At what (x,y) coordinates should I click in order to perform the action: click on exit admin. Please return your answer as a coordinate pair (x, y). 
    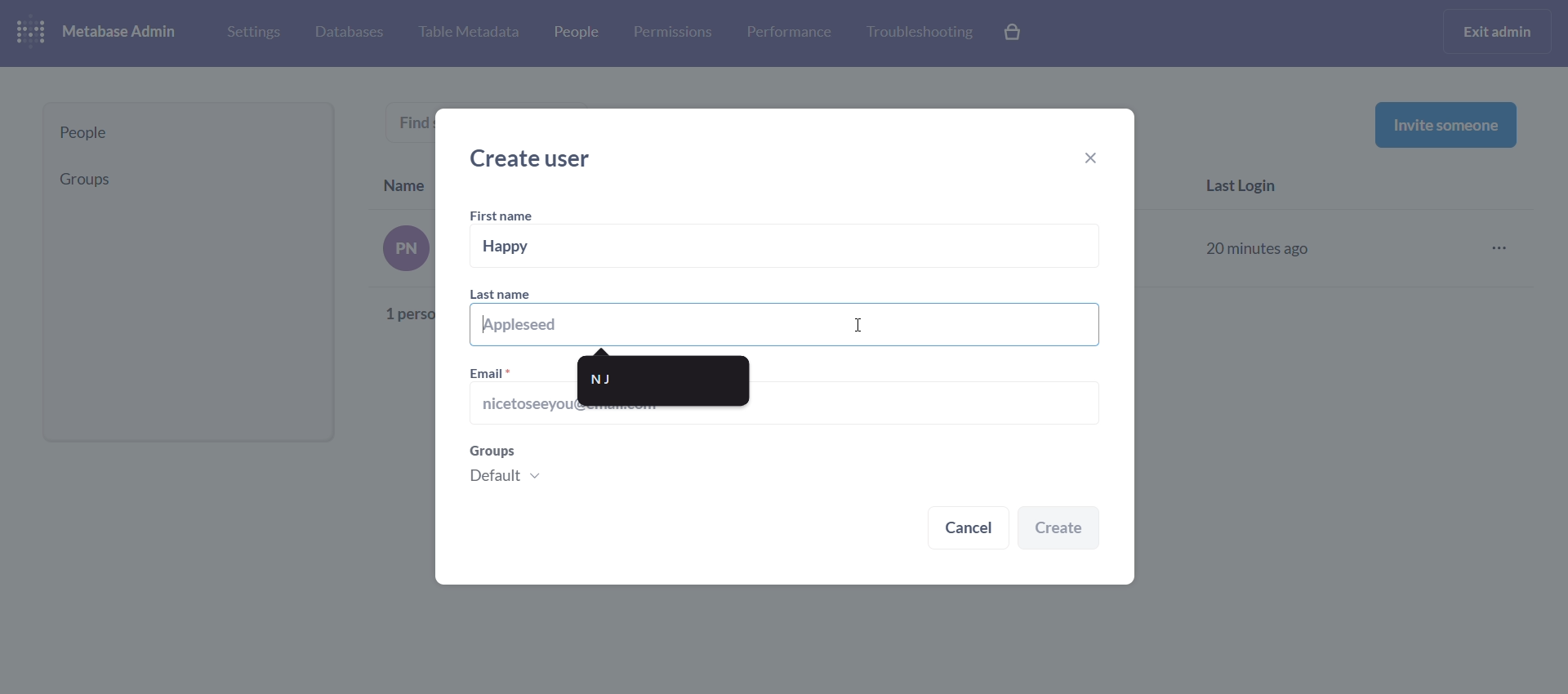
    Looking at the image, I should click on (1500, 31).